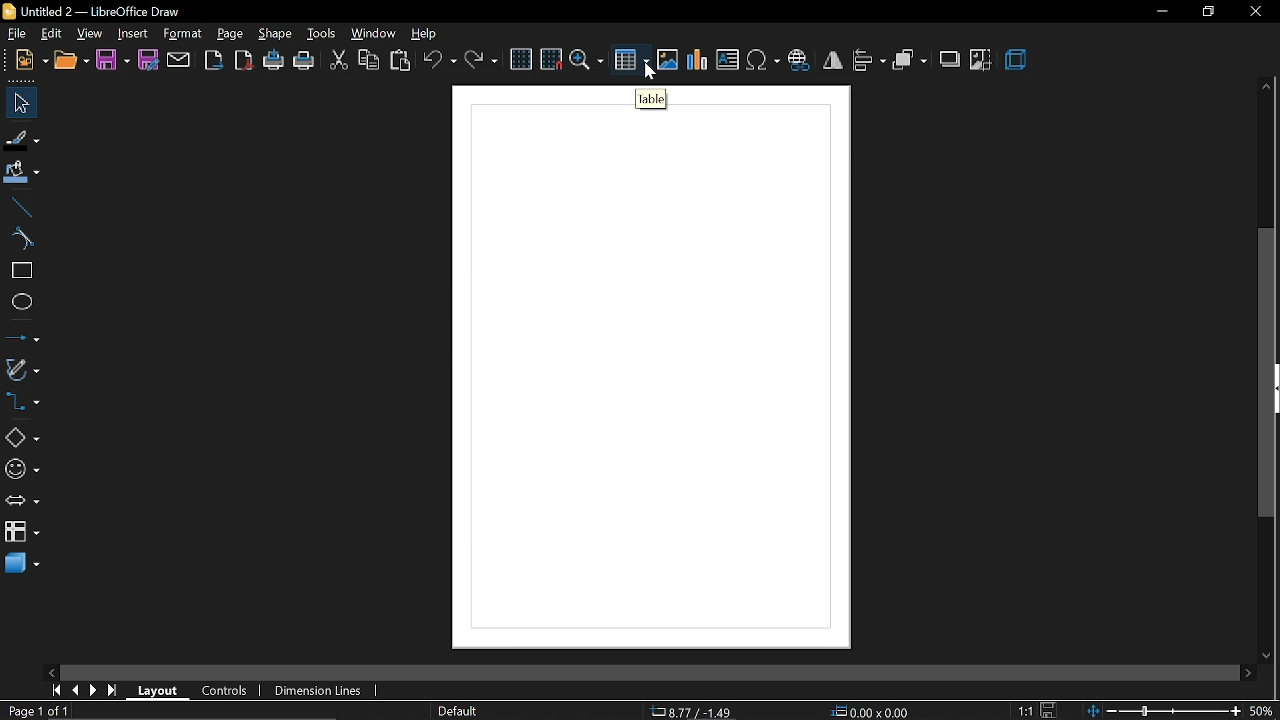 This screenshot has height=720, width=1280. Describe the element at coordinates (698, 59) in the screenshot. I see `insert chart` at that location.